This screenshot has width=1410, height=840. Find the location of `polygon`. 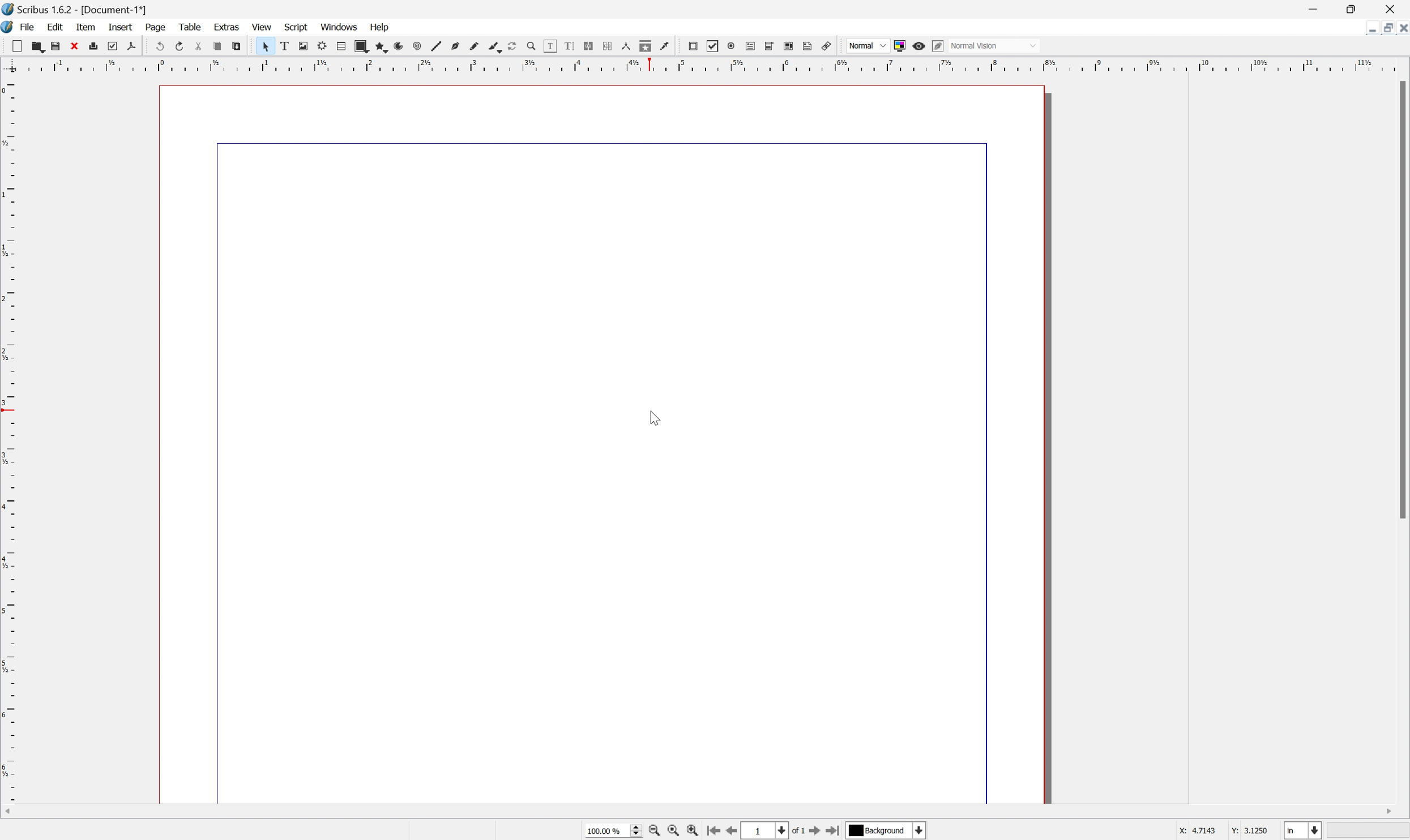

polygon is located at coordinates (380, 45).